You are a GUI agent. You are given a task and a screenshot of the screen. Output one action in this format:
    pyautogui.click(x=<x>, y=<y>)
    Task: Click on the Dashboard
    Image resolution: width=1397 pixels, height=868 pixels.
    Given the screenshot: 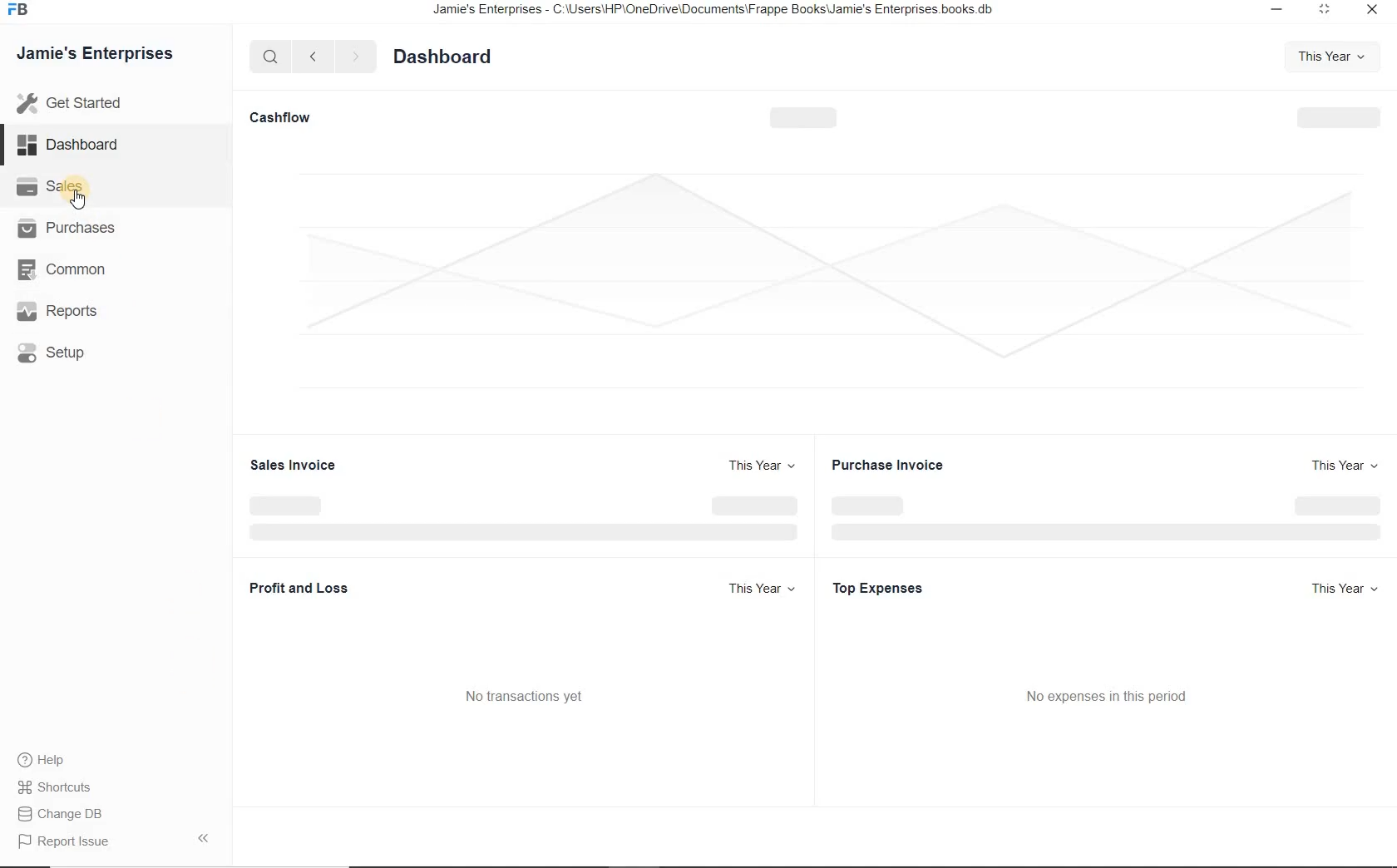 What is the action you would take?
    pyautogui.click(x=443, y=57)
    